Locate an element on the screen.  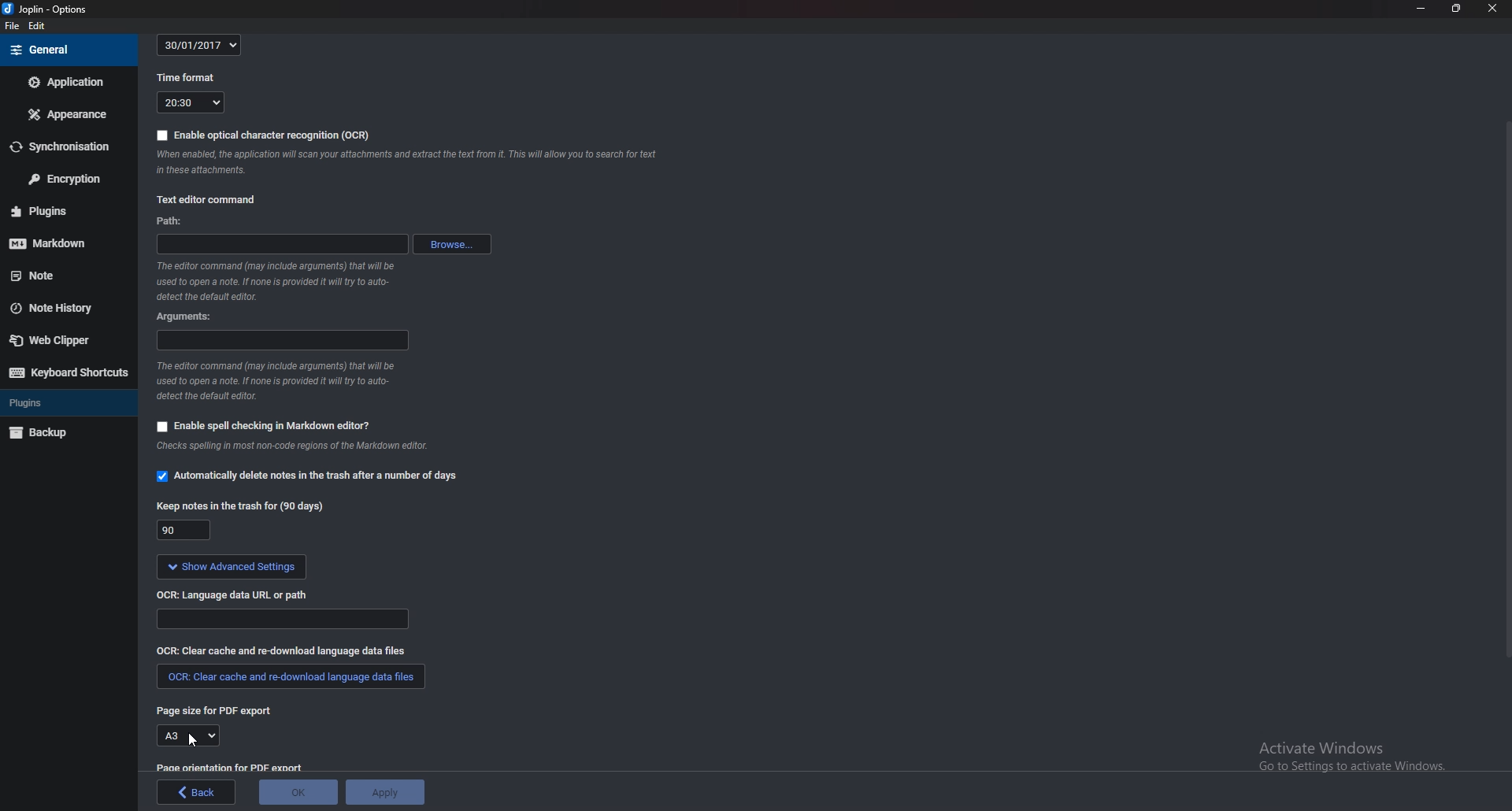
90 days is located at coordinates (184, 531).